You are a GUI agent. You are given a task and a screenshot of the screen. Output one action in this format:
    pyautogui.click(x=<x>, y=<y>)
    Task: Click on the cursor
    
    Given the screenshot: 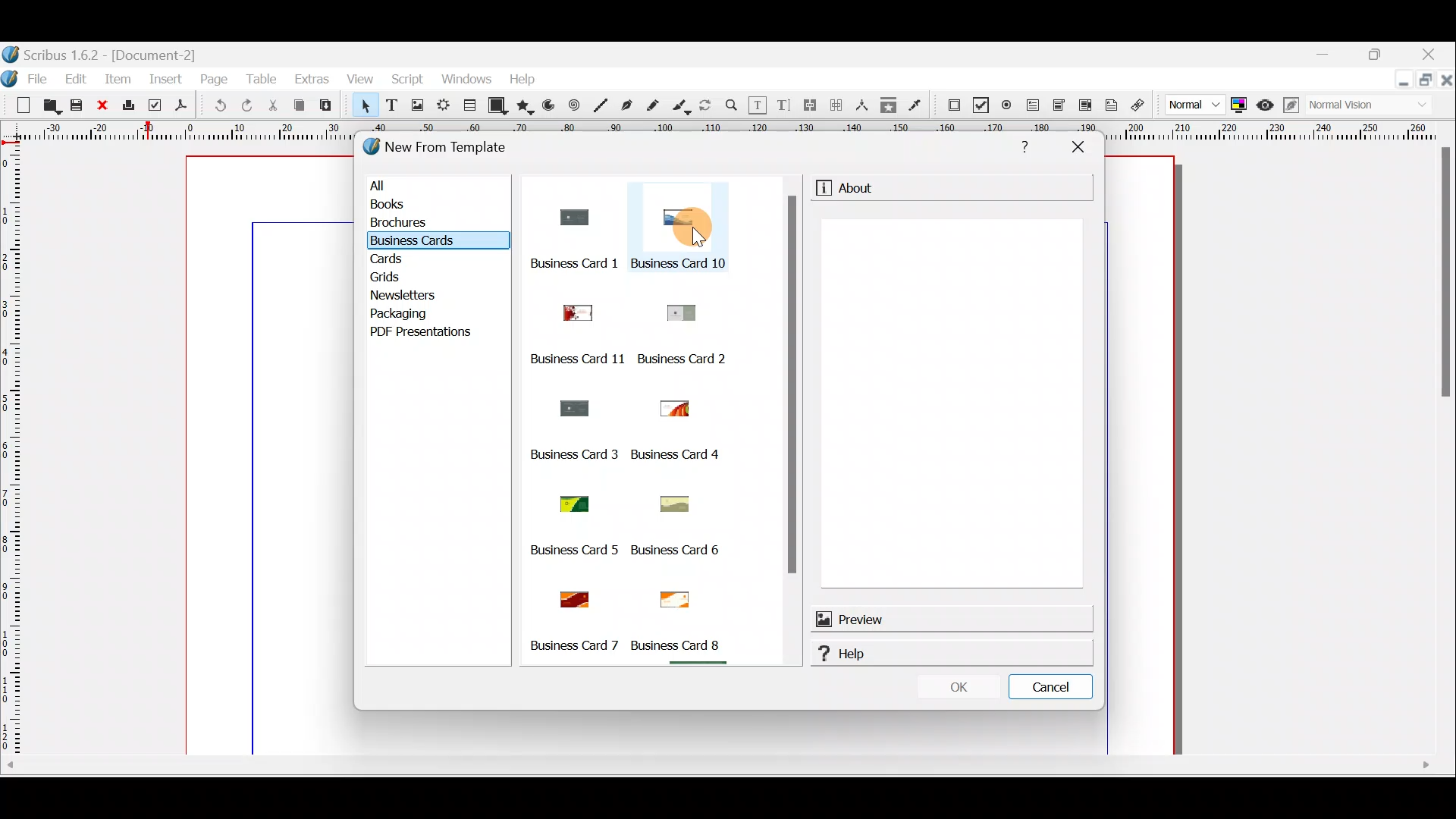 What is the action you would take?
    pyautogui.click(x=701, y=237)
    